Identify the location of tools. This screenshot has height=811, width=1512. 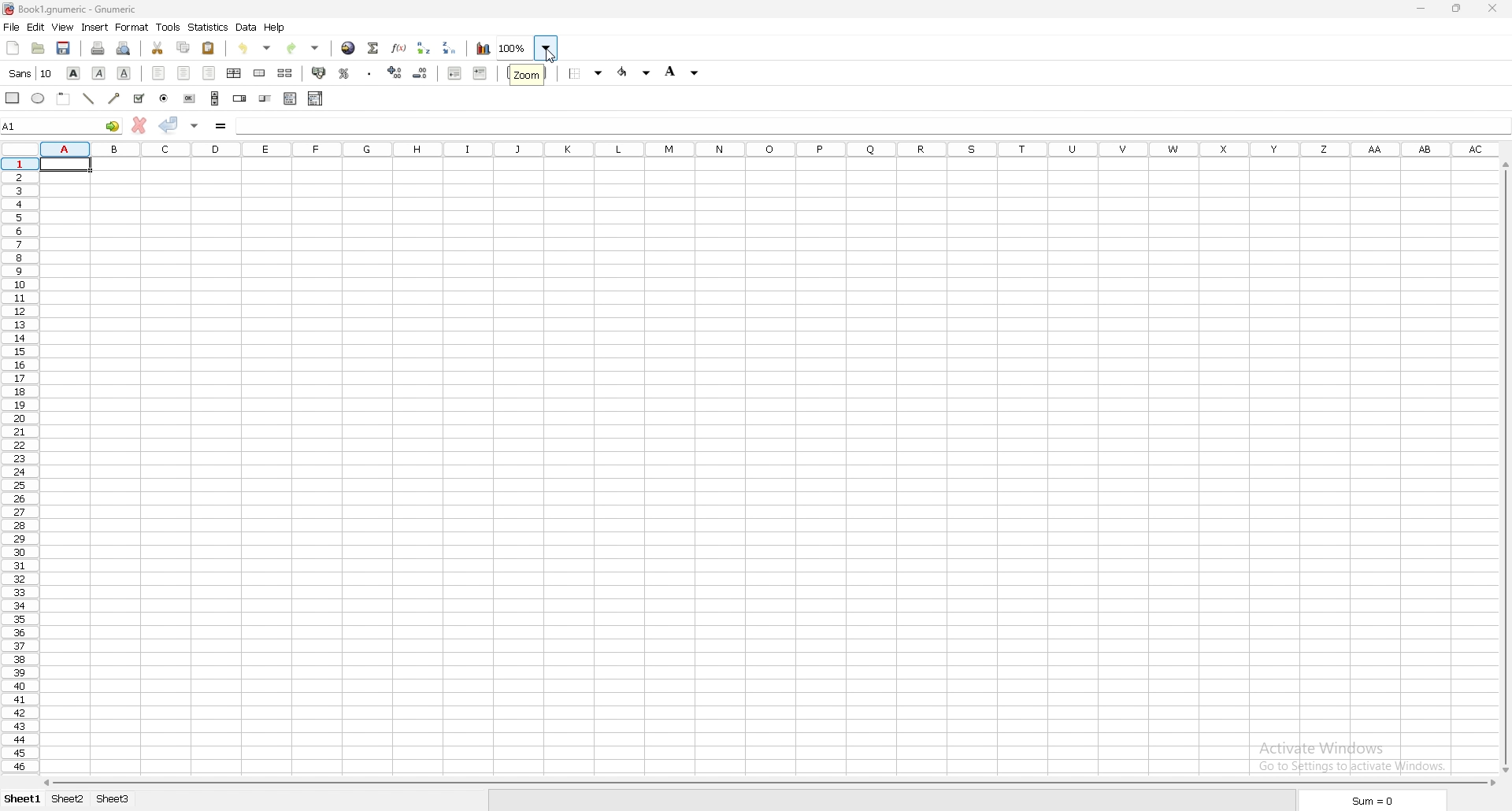
(169, 26).